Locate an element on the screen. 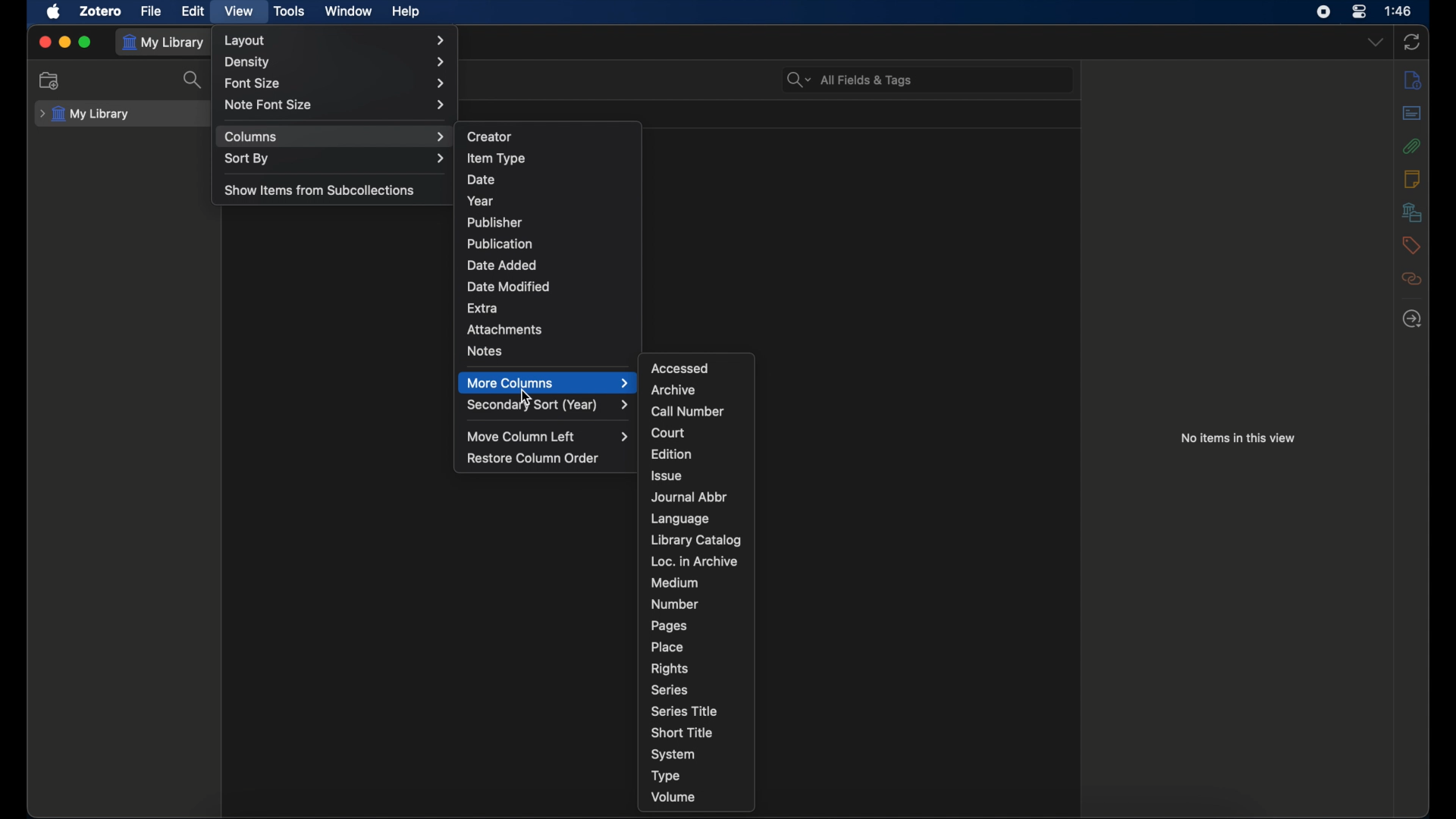 Image resolution: width=1456 pixels, height=819 pixels. attachments is located at coordinates (505, 330).